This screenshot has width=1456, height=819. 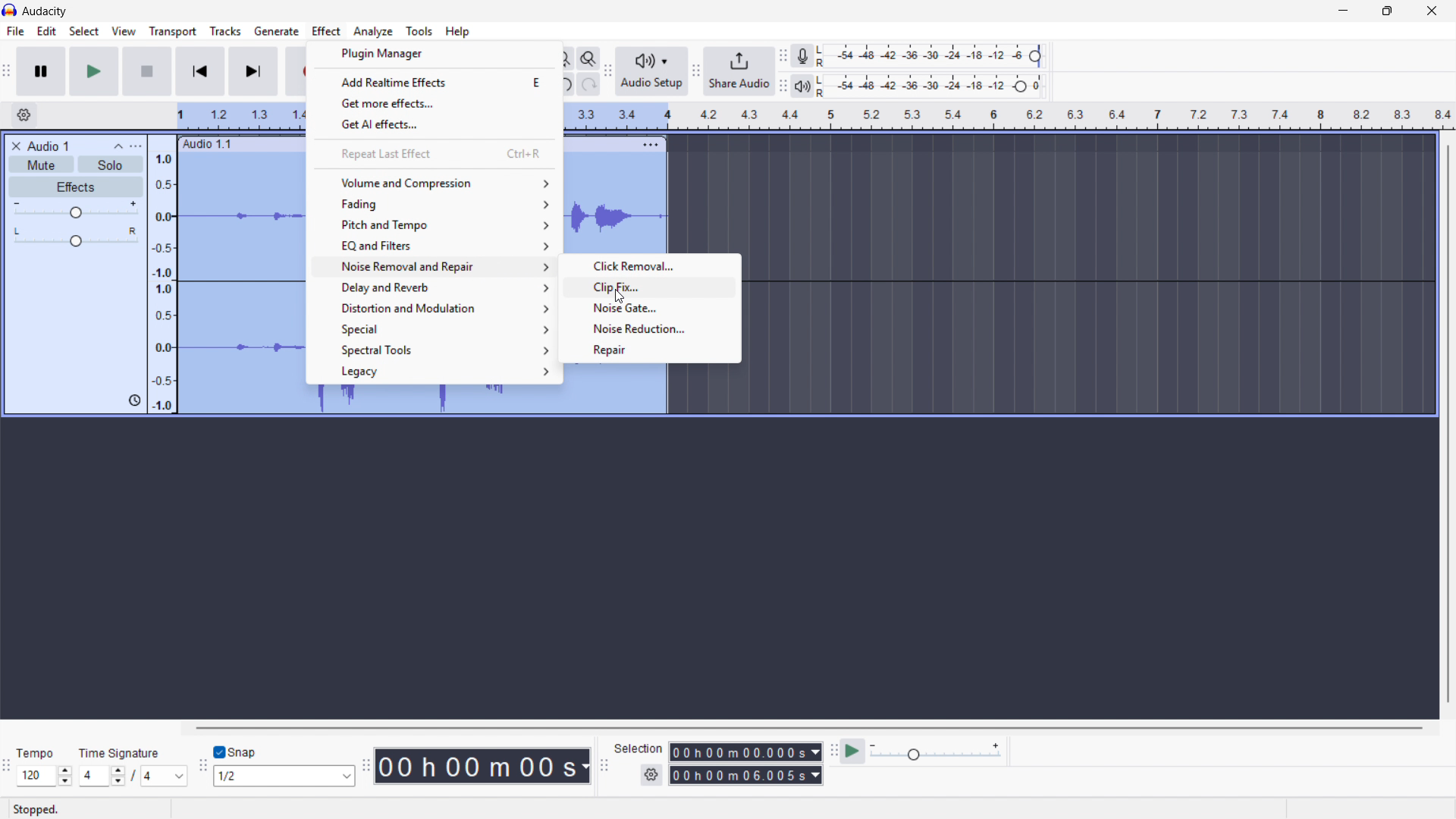 I want to click on Timestamp, so click(x=483, y=766).